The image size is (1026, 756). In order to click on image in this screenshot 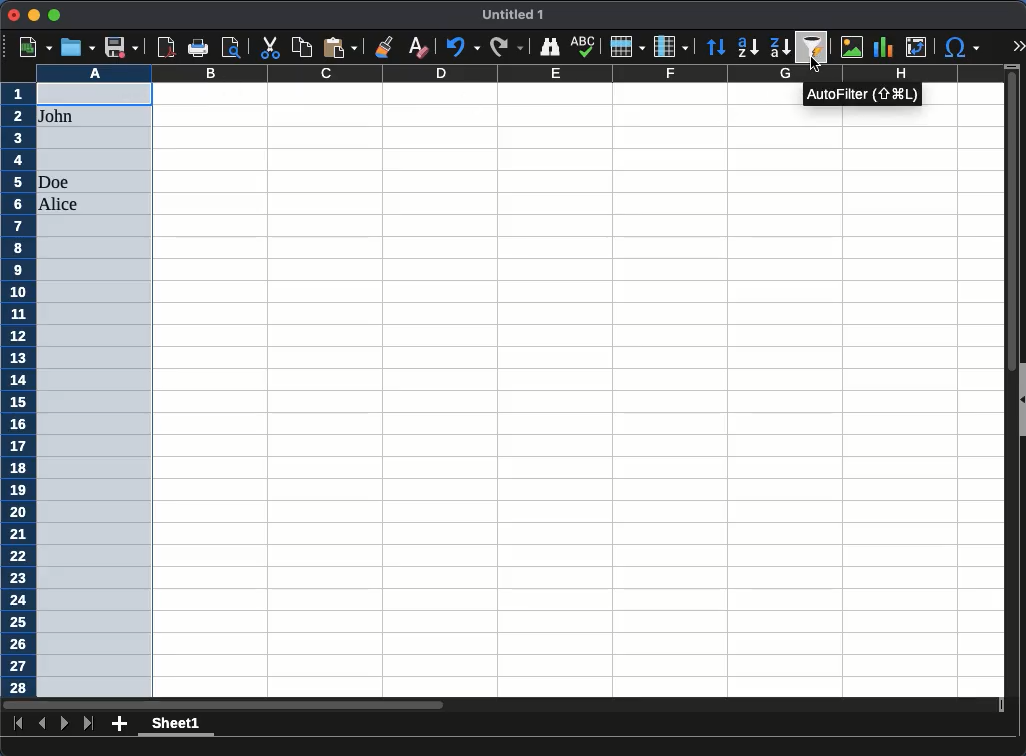, I will do `click(852, 46)`.